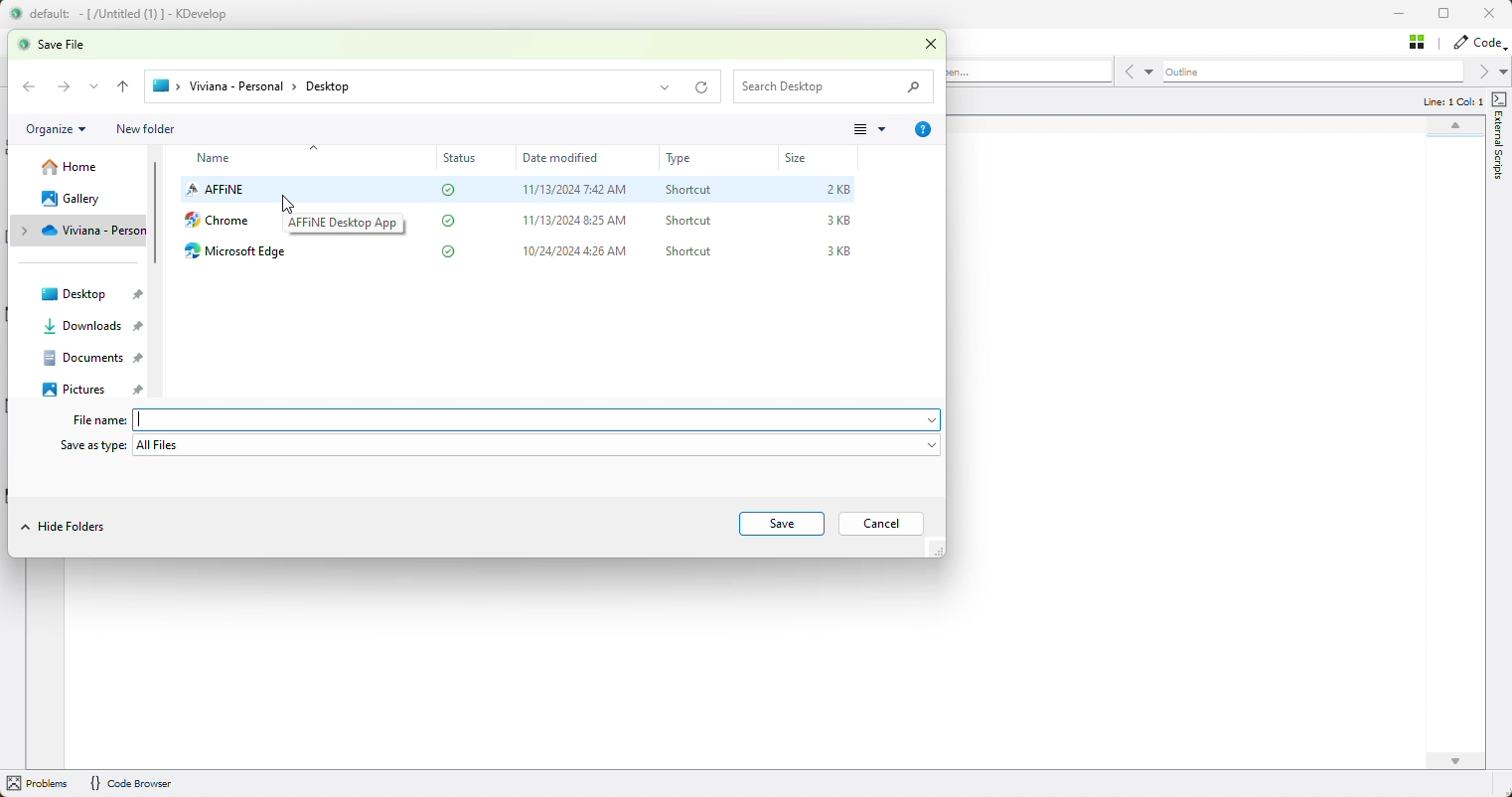 The image size is (1512, 797). What do you see at coordinates (1453, 128) in the screenshot?
I see `scroll up` at bounding box center [1453, 128].